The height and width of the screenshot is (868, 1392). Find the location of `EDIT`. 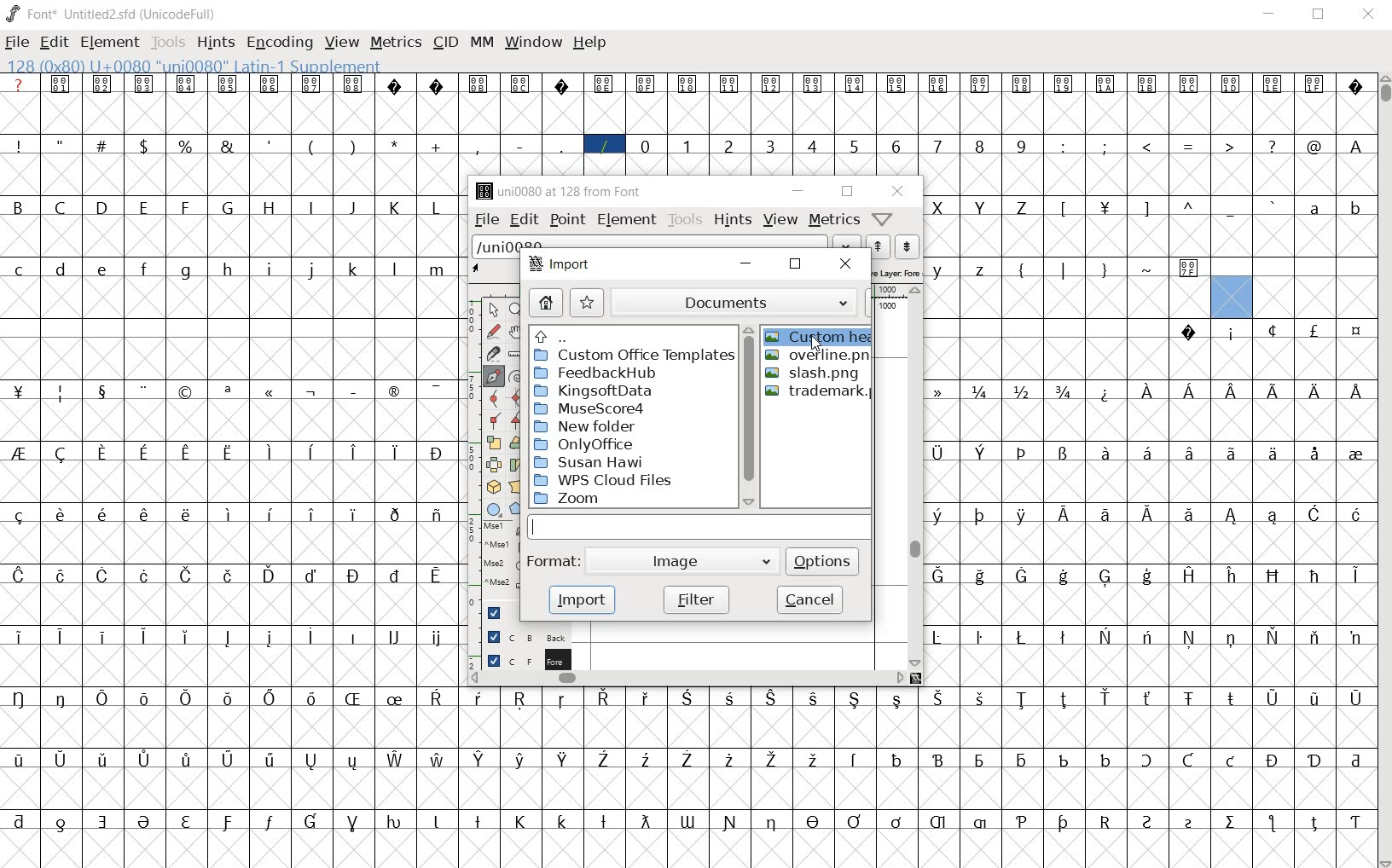

EDIT is located at coordinates (57, 40).